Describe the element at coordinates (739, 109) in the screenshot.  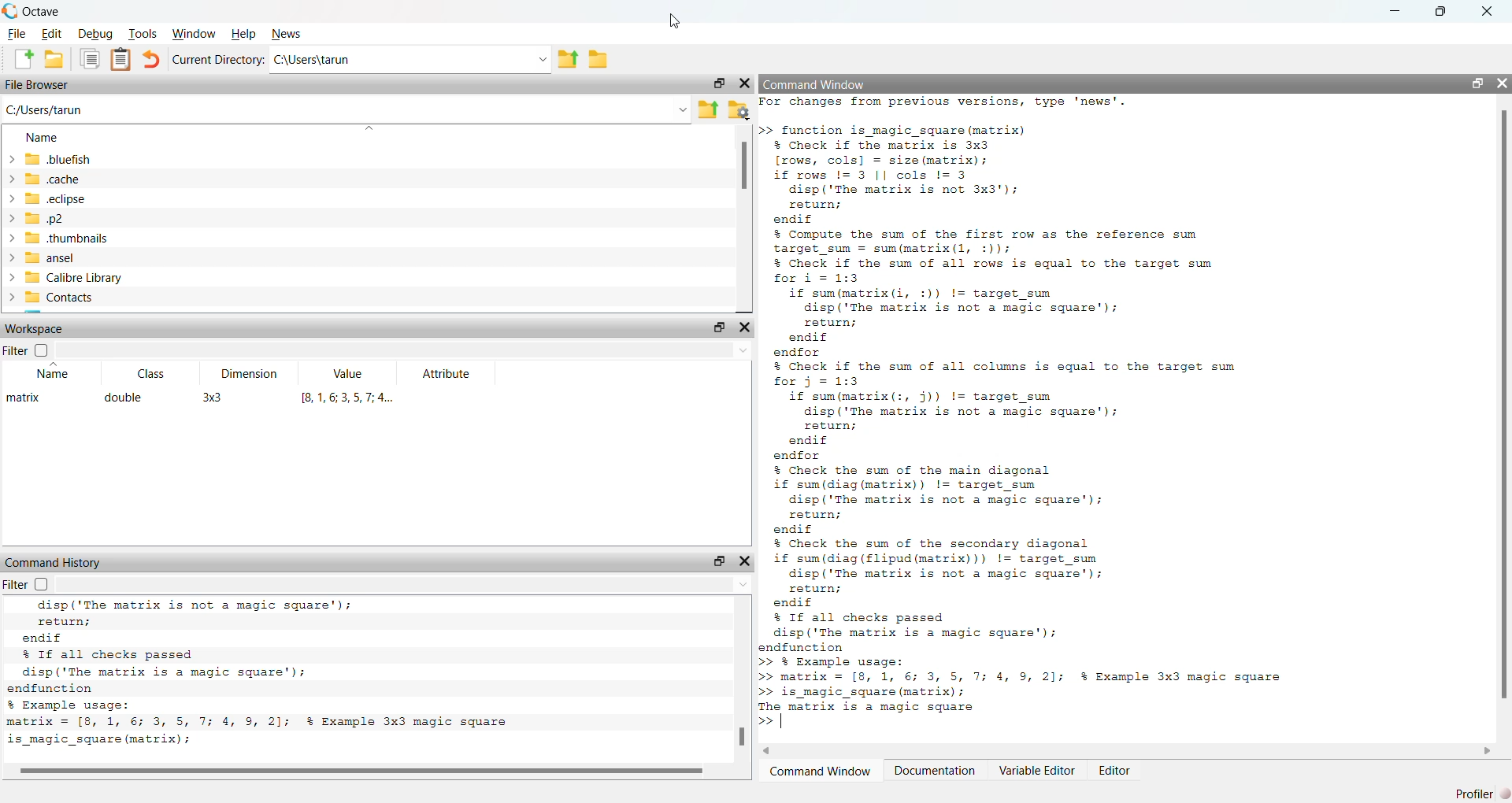
I see `folder settings` at that location.